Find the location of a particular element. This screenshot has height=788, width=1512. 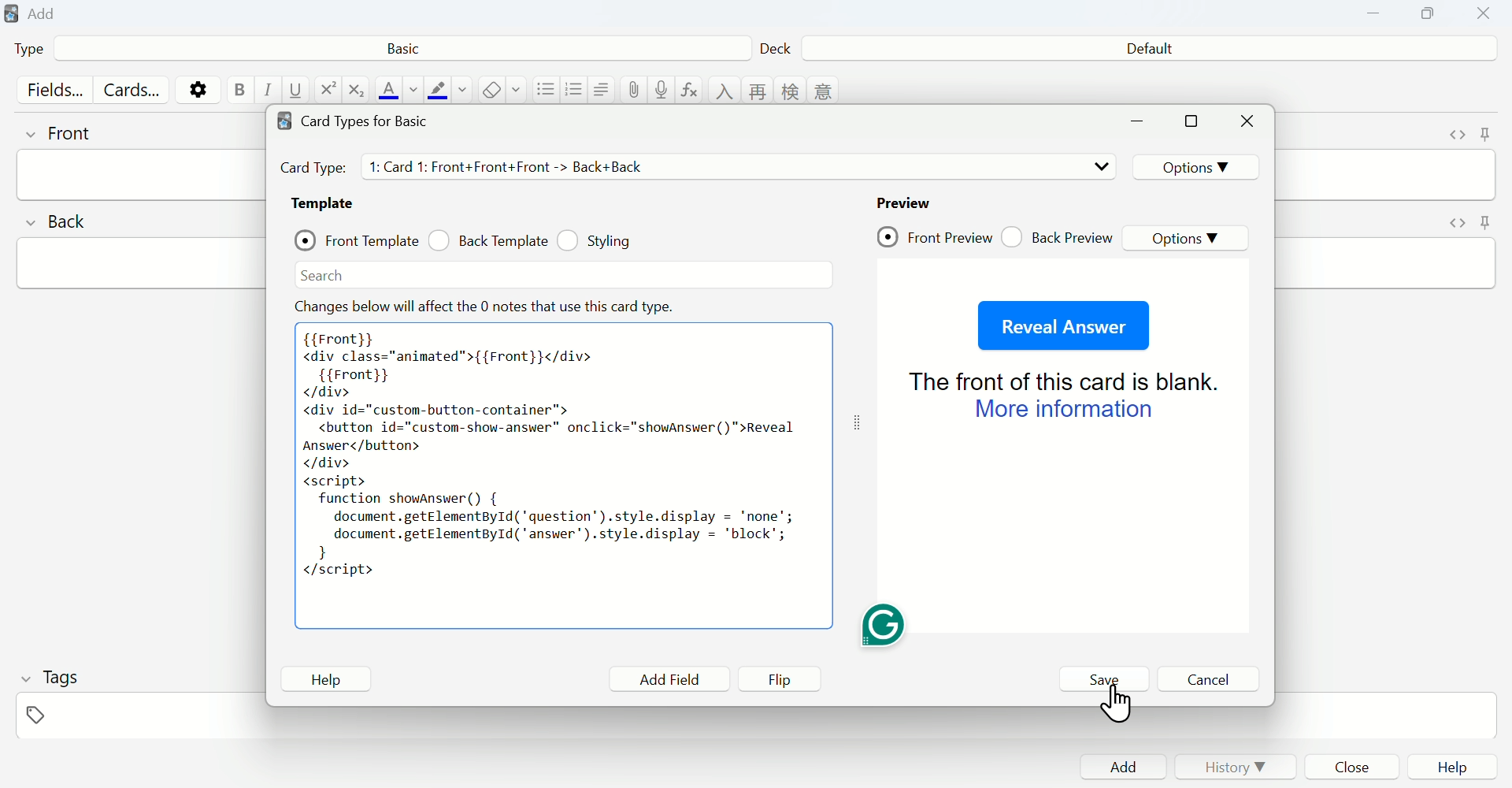

Add is located at coordinates (1123, 767).